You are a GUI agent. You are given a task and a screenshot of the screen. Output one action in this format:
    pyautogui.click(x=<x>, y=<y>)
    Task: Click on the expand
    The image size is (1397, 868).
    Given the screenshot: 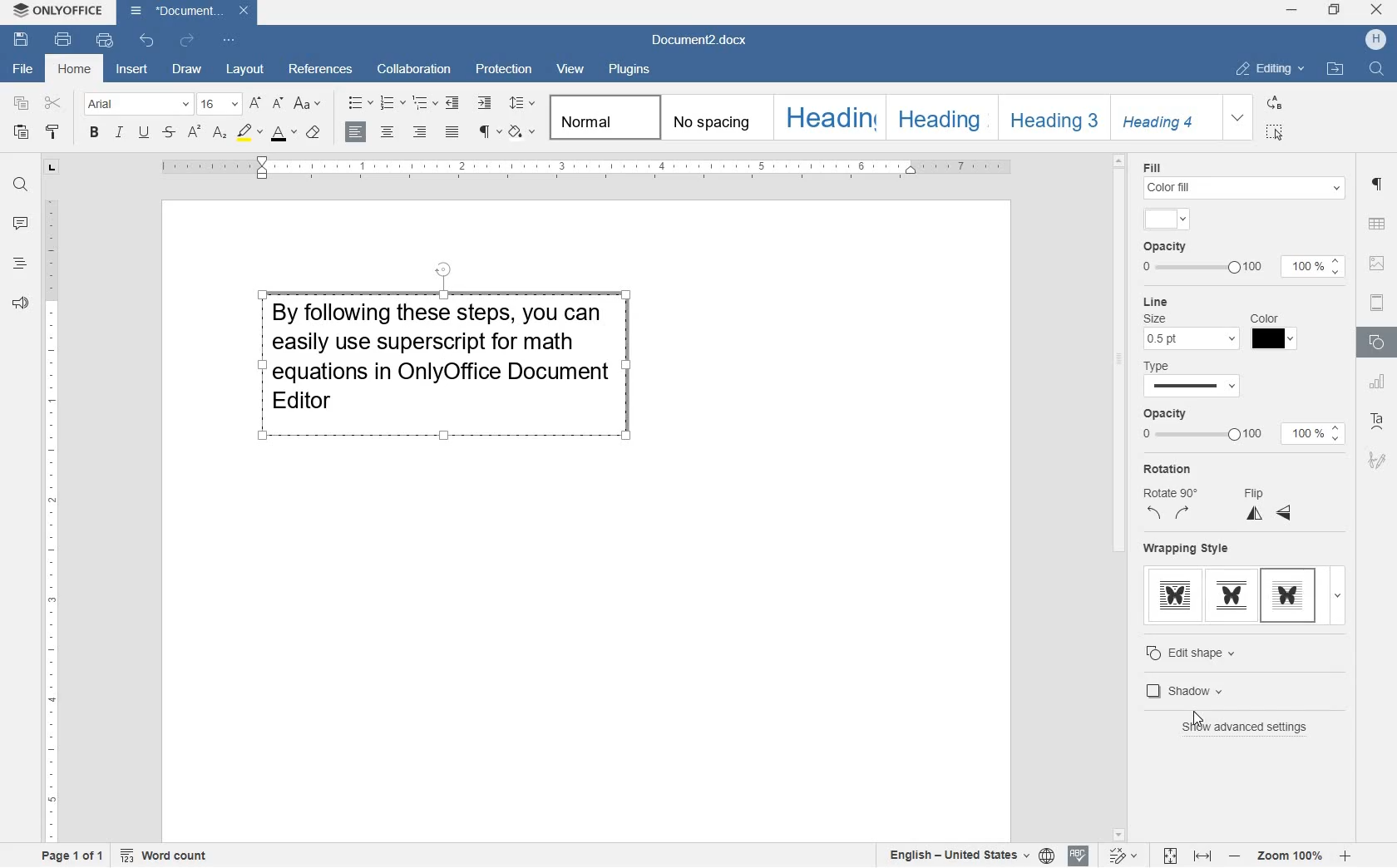 What is the action you would take?
    pyautogui.click(x=1338, y=596)
    